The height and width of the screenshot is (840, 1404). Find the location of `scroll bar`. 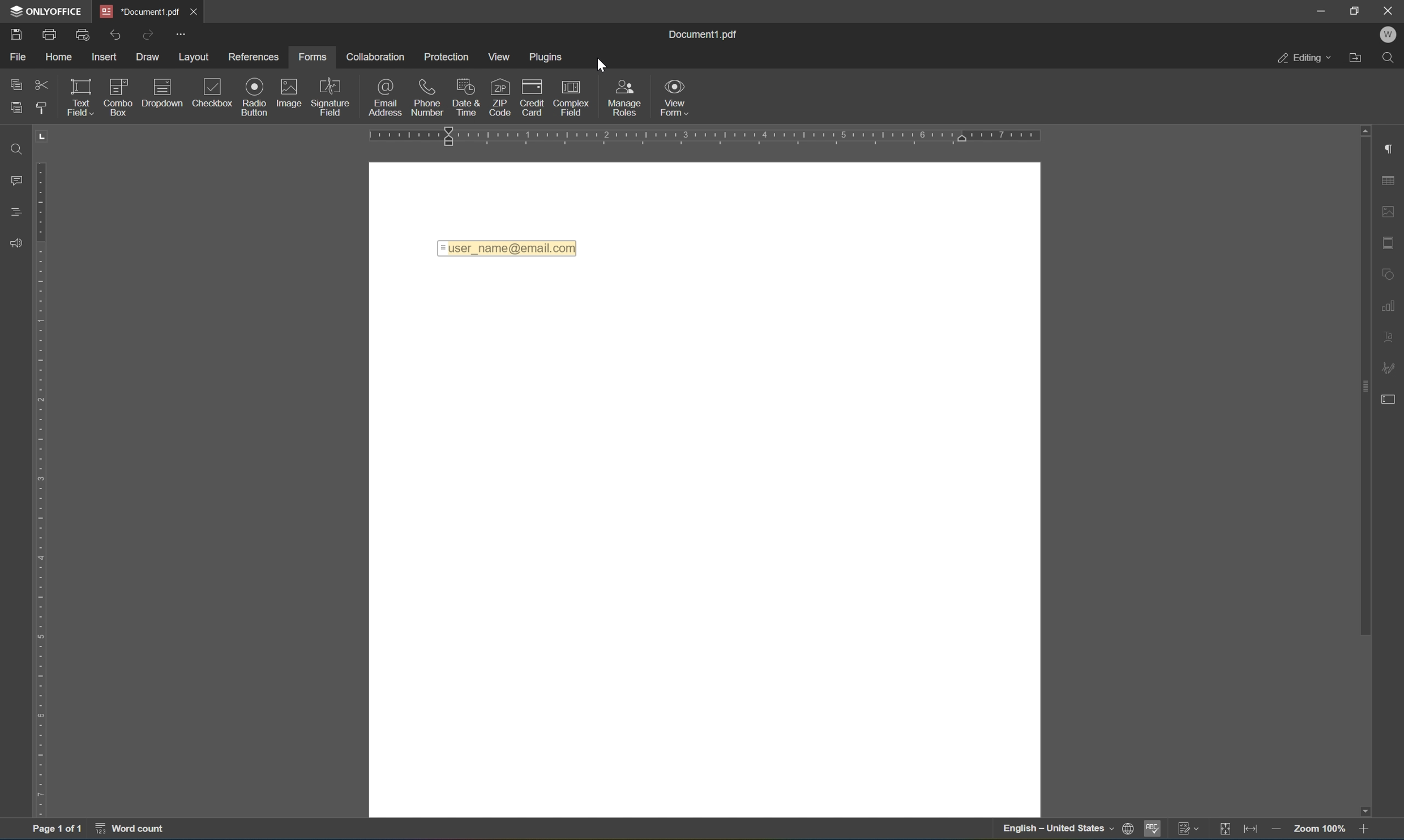

scroll bar is located at coordinates (1363, 380).